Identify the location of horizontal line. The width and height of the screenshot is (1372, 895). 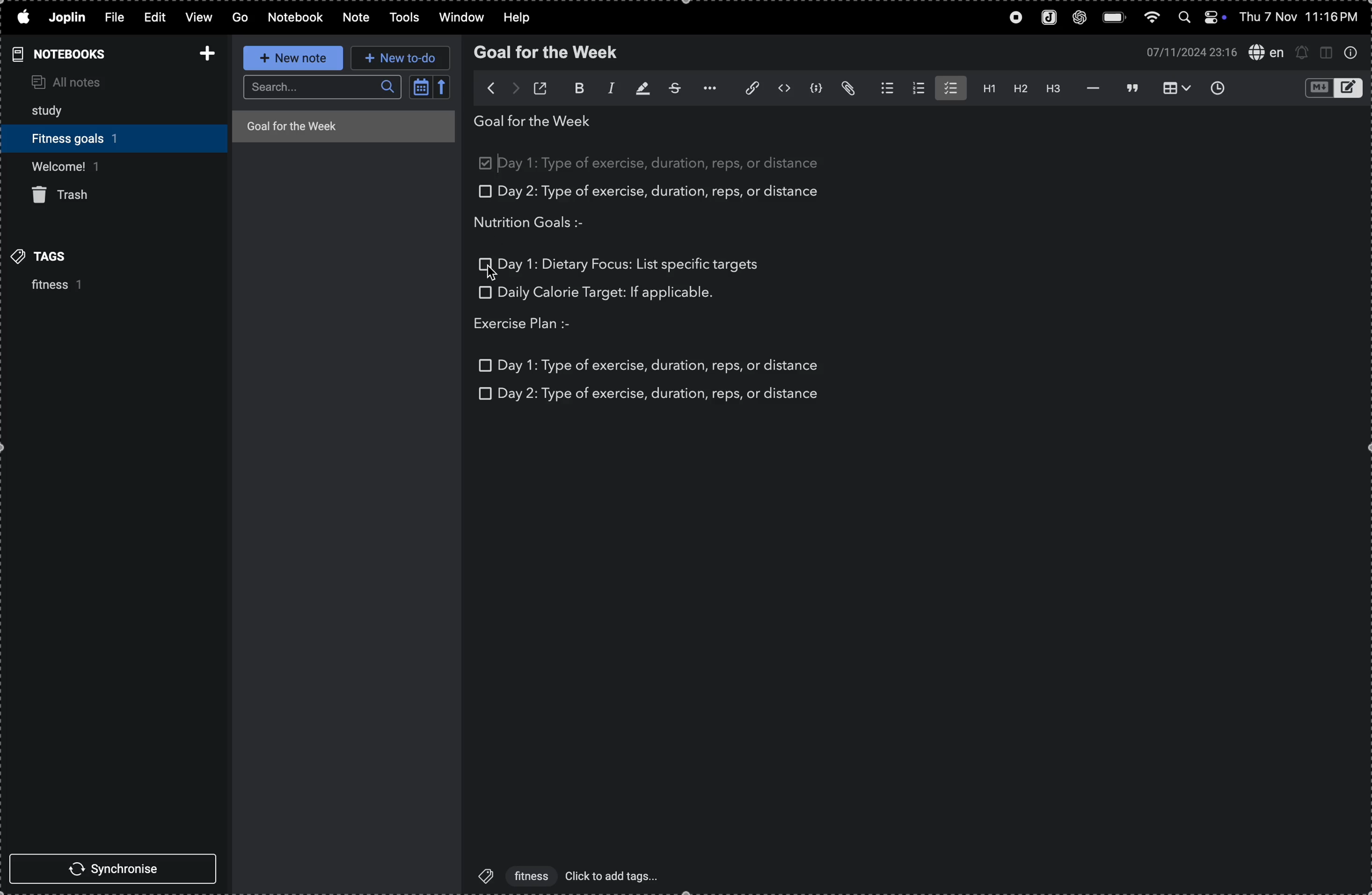
(1088, 88).